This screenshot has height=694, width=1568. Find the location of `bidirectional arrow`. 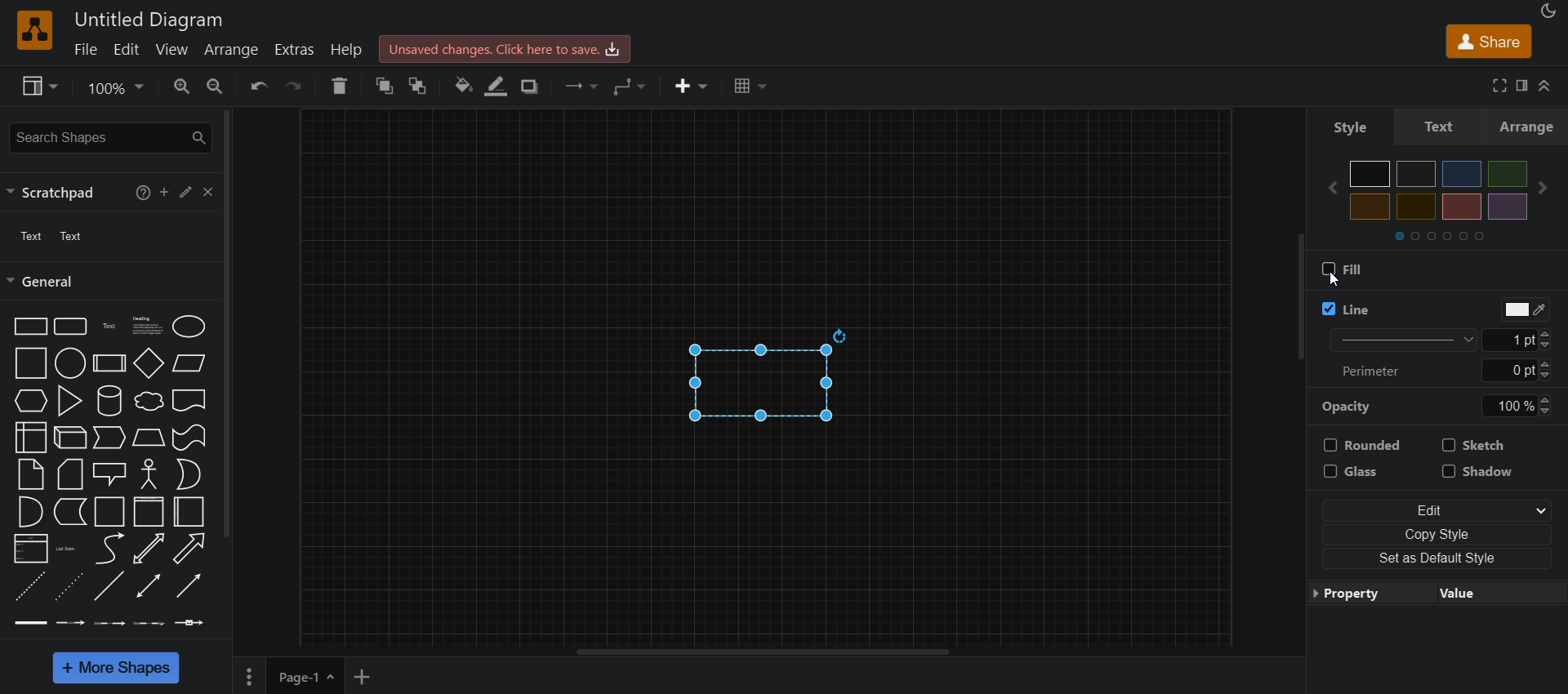

bidirectional arrow is located at coordinates (150, 549).